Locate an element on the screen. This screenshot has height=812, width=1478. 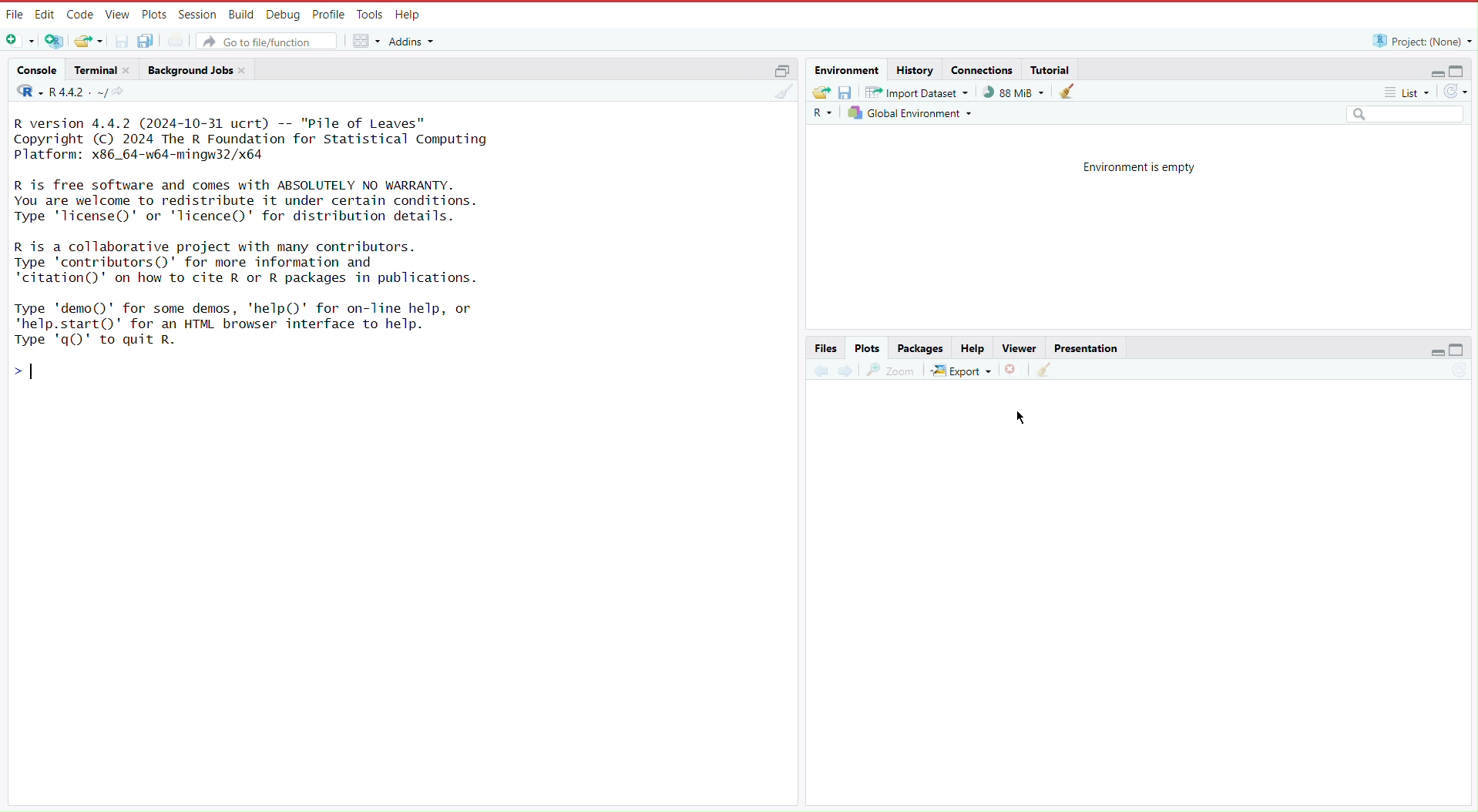
Help is located at coordinates (972, 348).